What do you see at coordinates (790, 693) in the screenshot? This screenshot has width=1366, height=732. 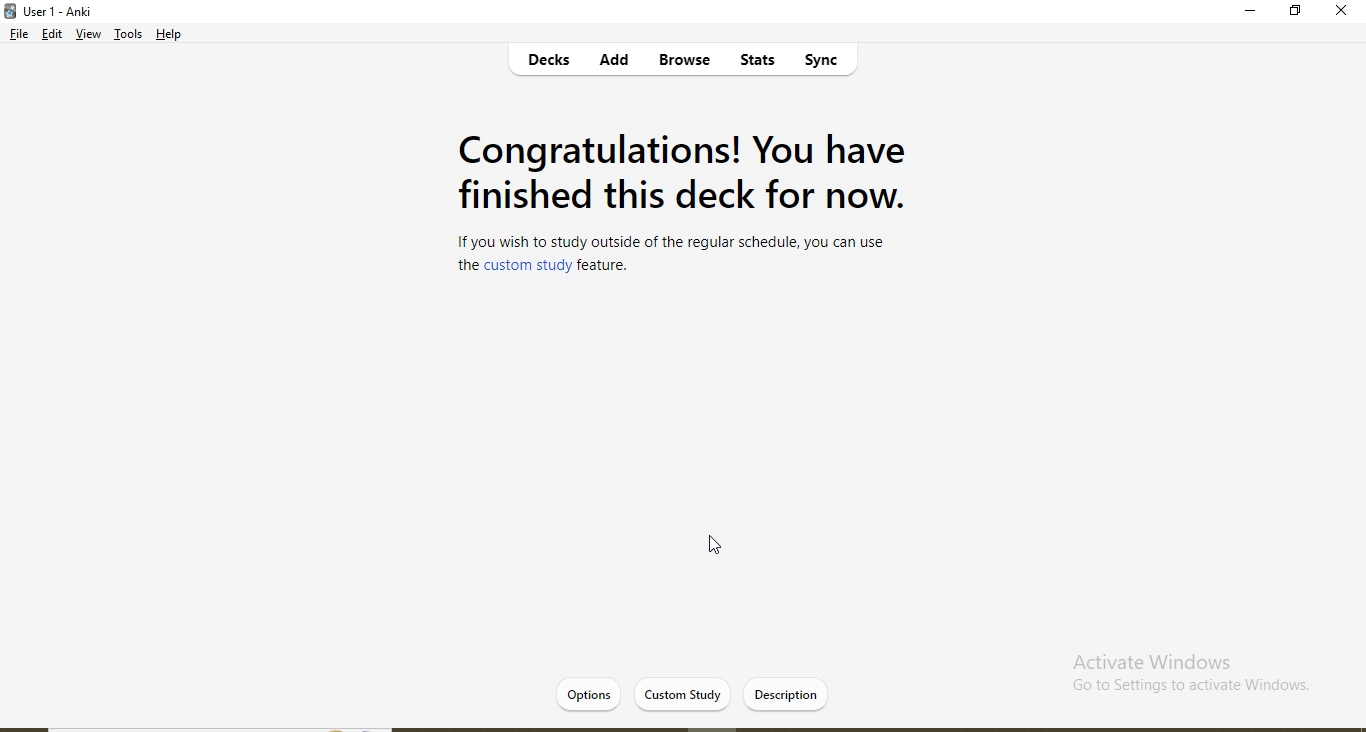 I see `import file` at bounding box center [790, 693].